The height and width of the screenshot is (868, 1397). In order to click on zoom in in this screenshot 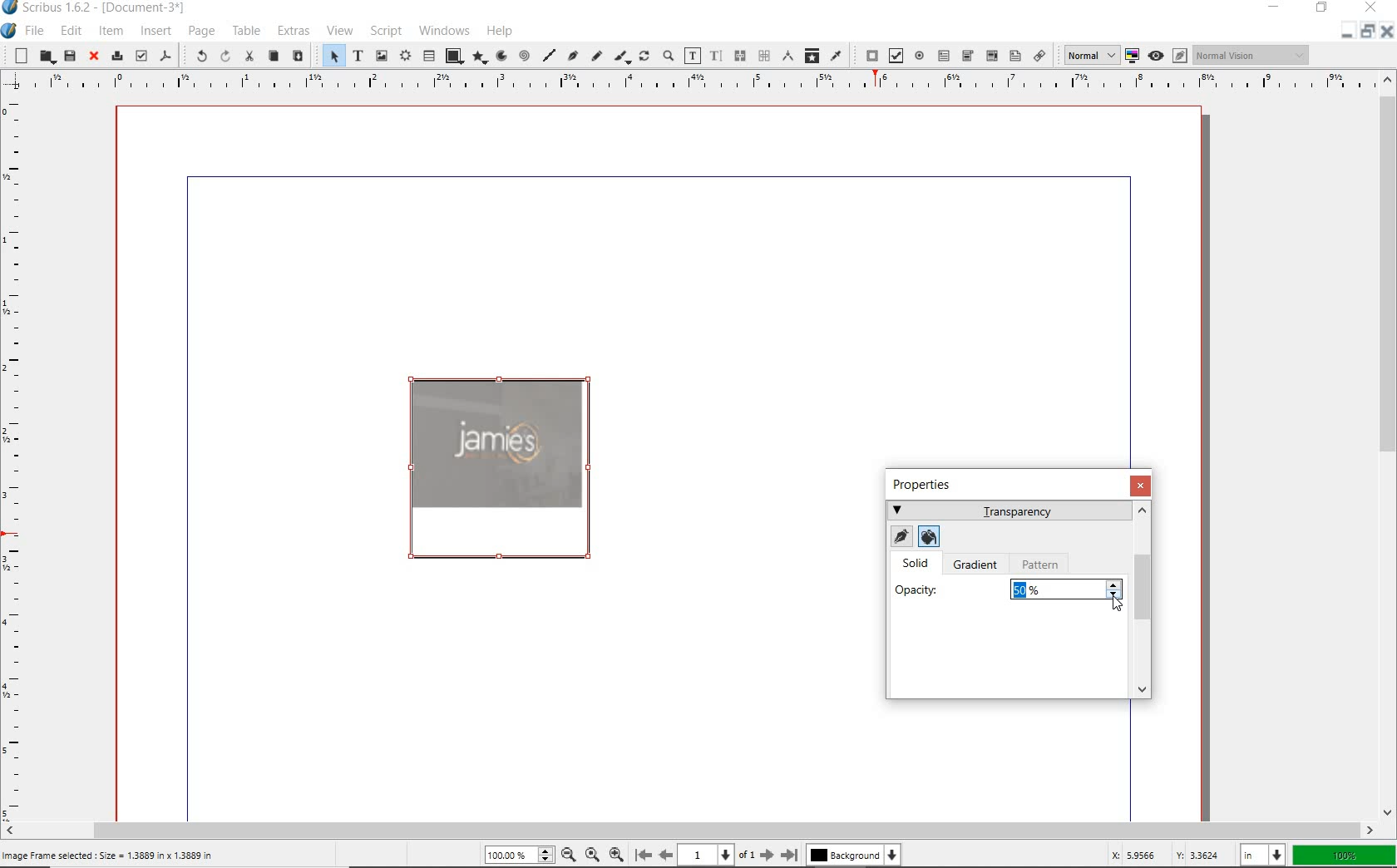, I will do `click(617, 856)`.